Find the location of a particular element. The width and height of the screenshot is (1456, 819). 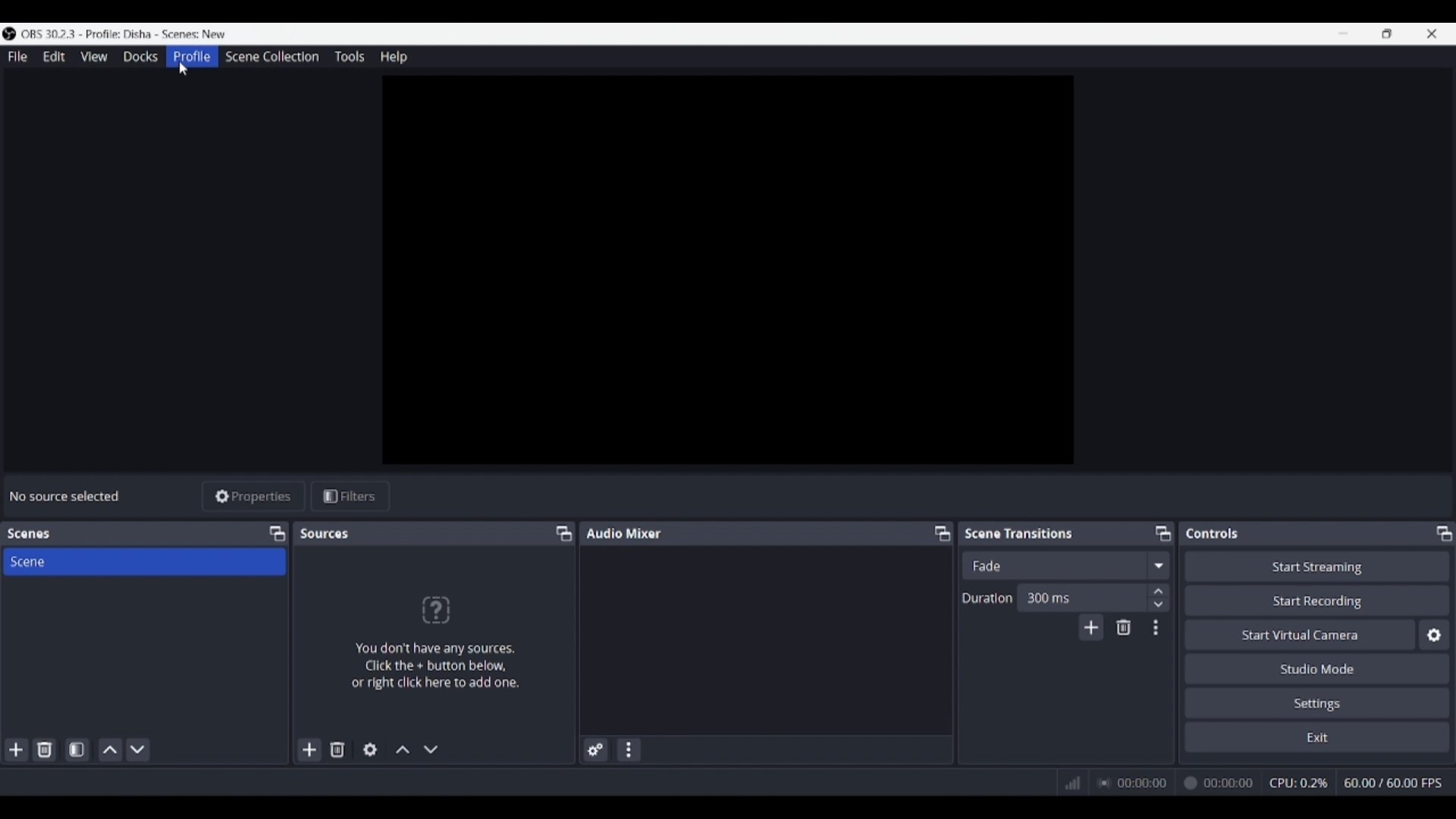

Minimize is located at coordinates (1343, 33).